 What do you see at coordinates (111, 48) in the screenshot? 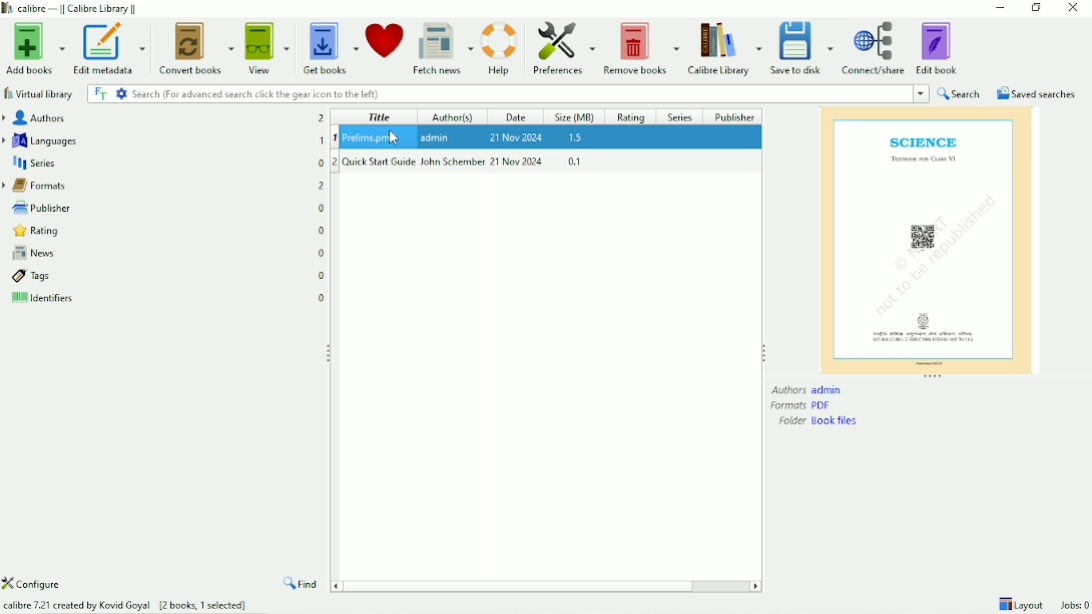
I see `Edit metadata` at bounding box center [111, 48].